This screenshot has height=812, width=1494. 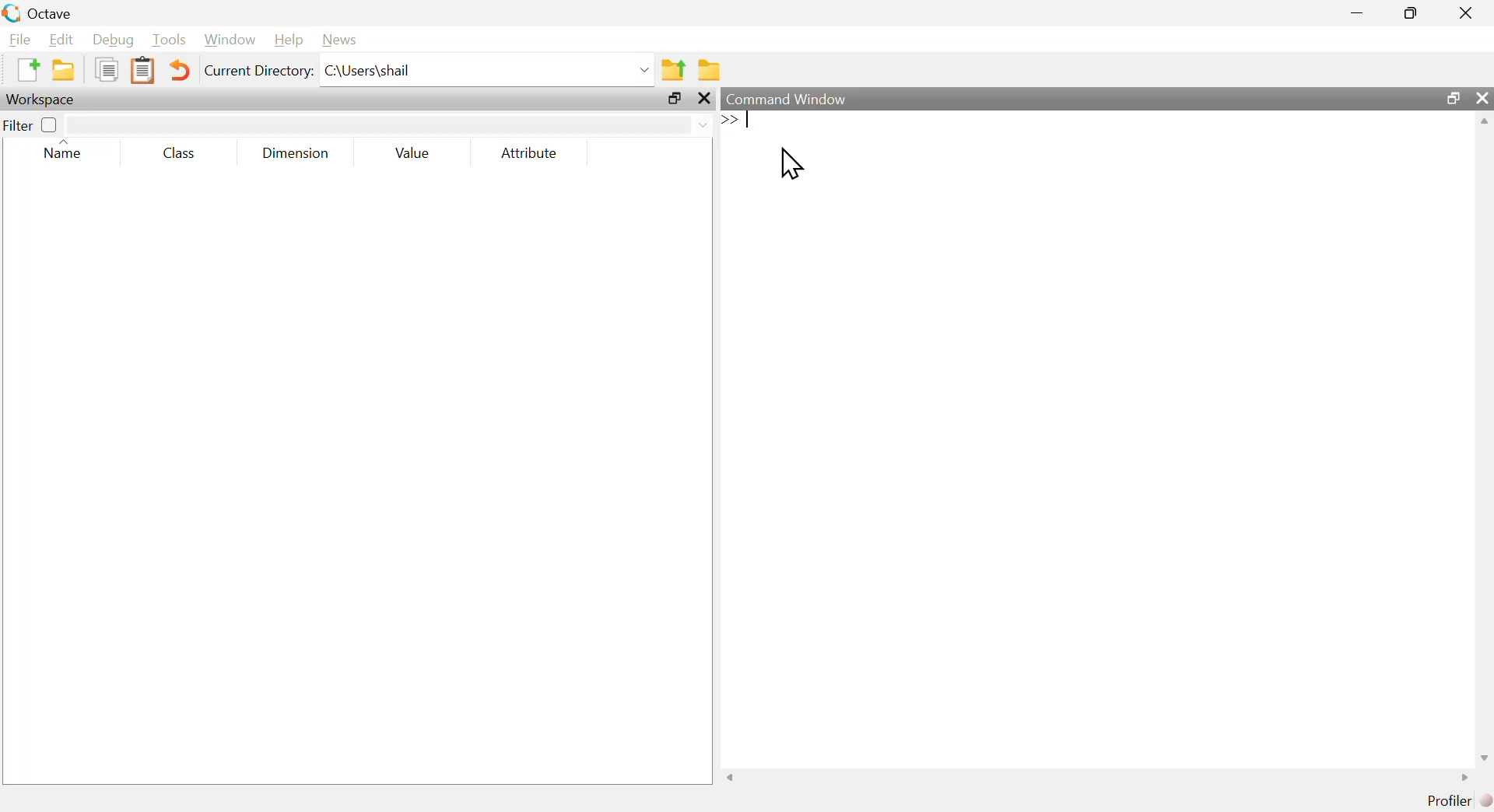 What do you see at coordinates (675, 99) in the screenshot?
I see `restore` at bounding box center [675, 99].